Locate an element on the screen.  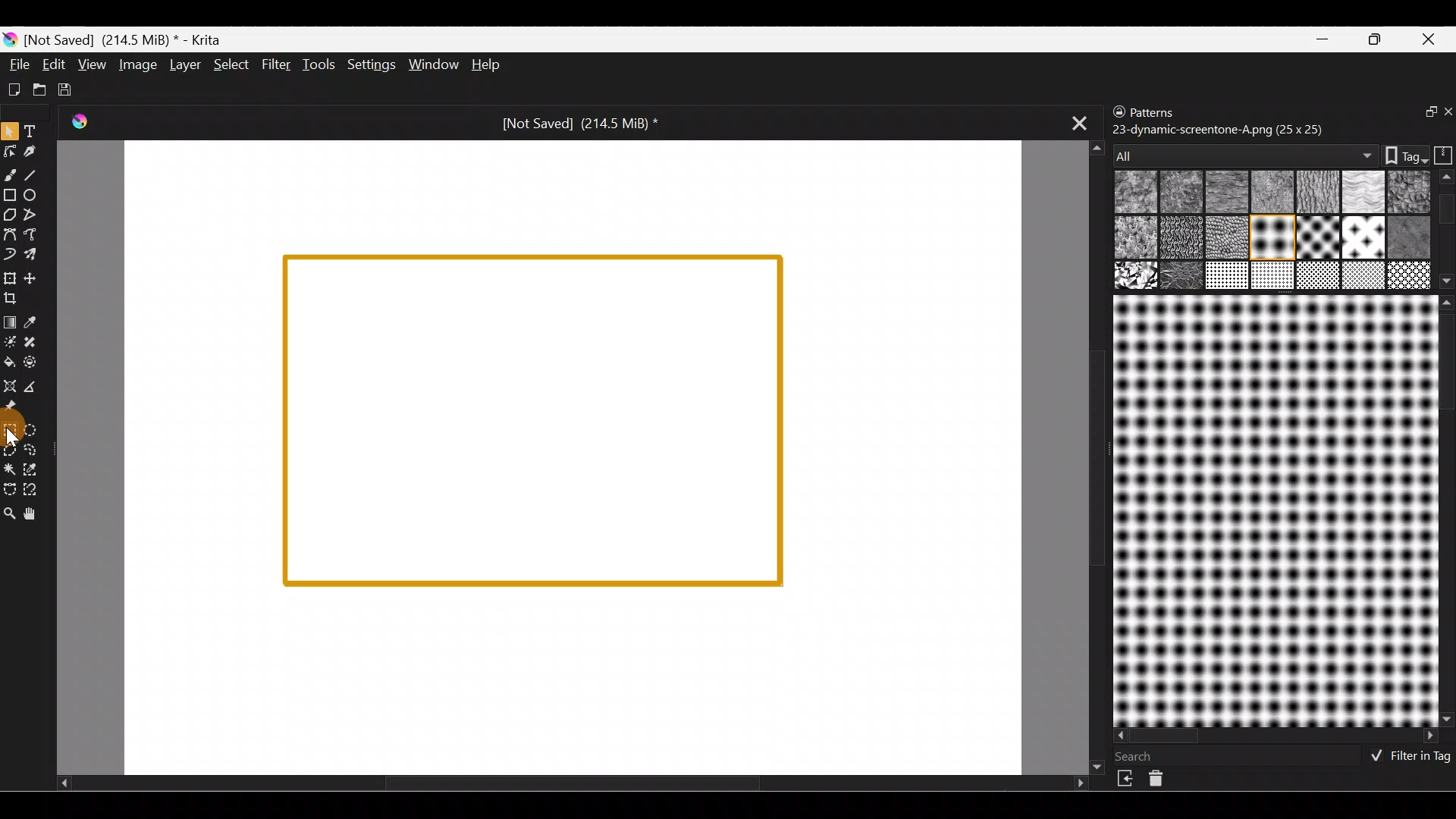
Save is located at coordinates (67, 87).